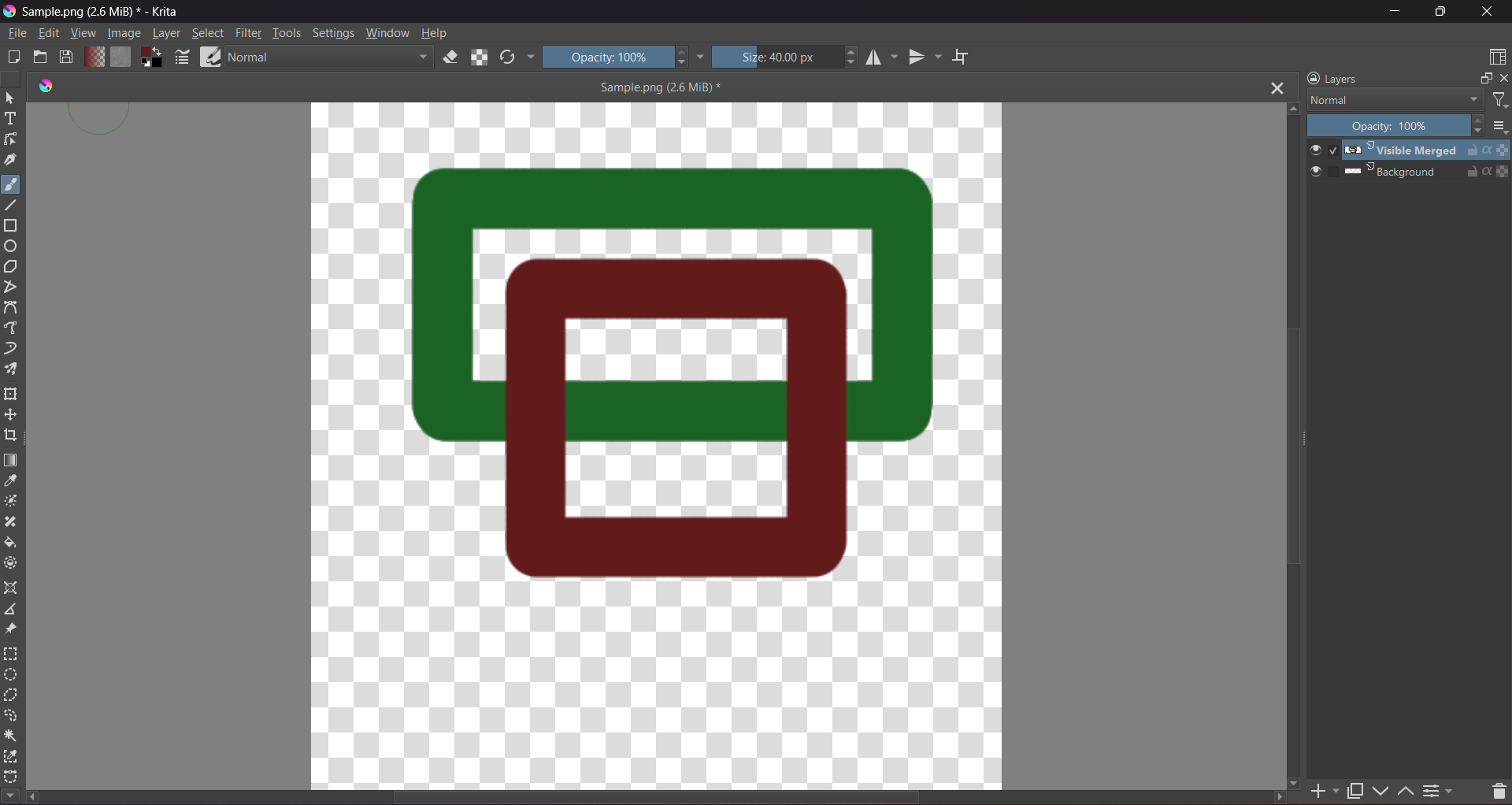 This screenshot has height=805, width=1512. Describe the element at coordinates (14, 309) in the screenshot. I see `Bezier Curve Tool` at that location.